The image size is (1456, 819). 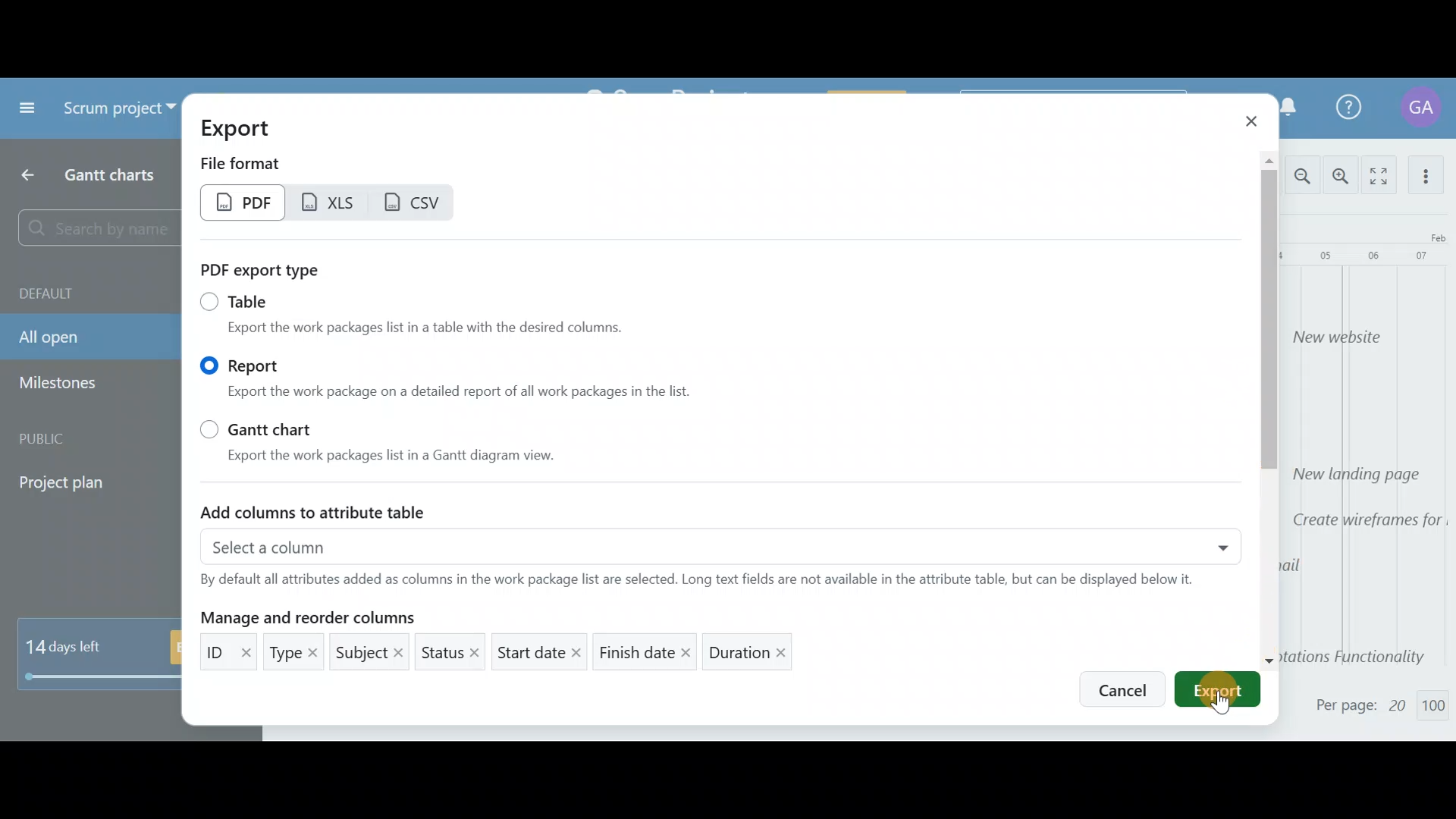 What do you see at coordinates (71, 384) in the screenshot?
I see `Milestones` at bounding box center [71, 384].